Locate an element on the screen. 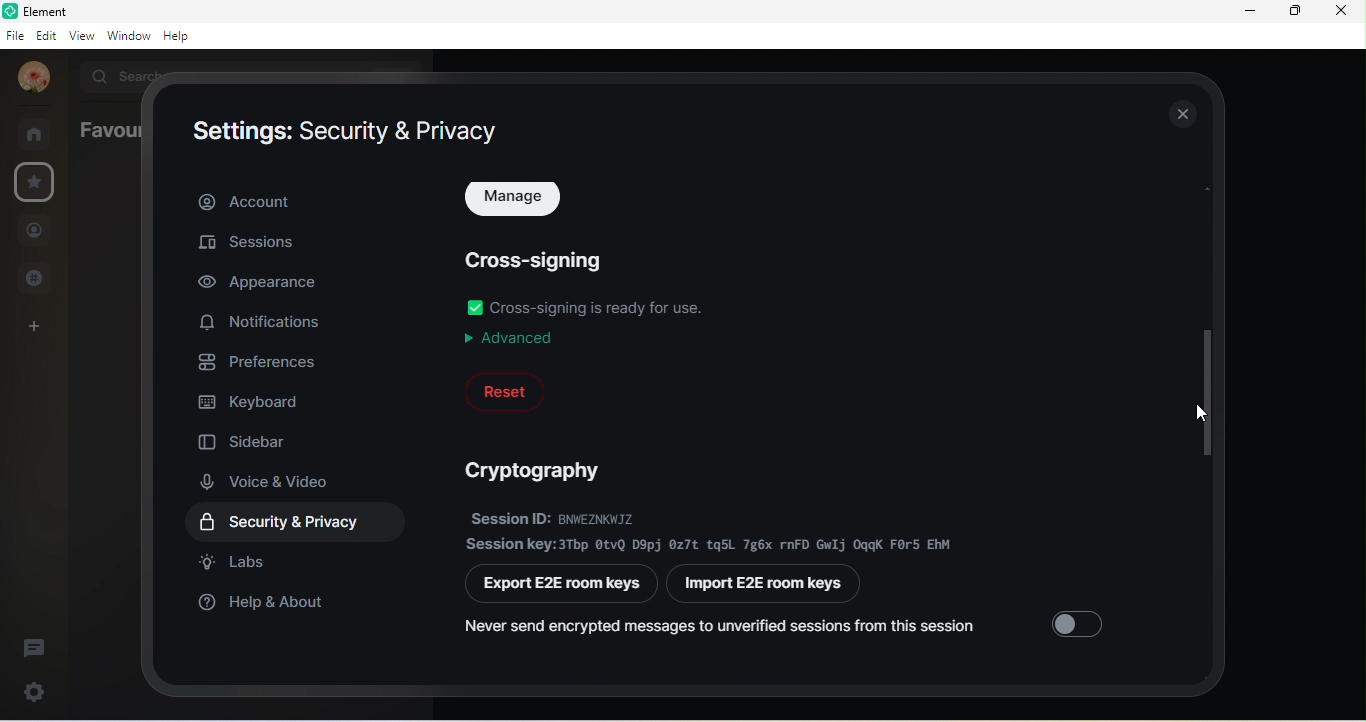 Image resolution: width=1366 pixels, height=722 pixels. window is located at coordinates (130, 37).